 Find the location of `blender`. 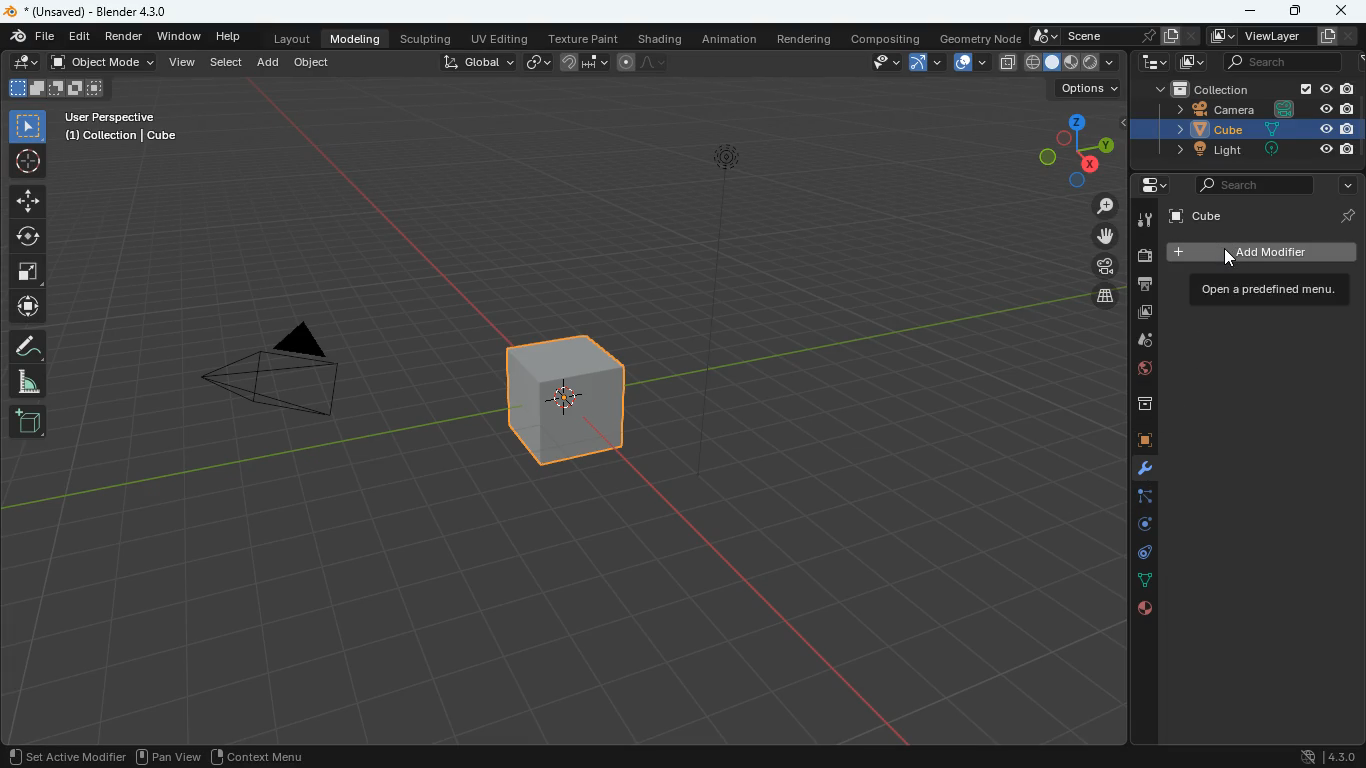

blender is located at coordinates (9, 12).